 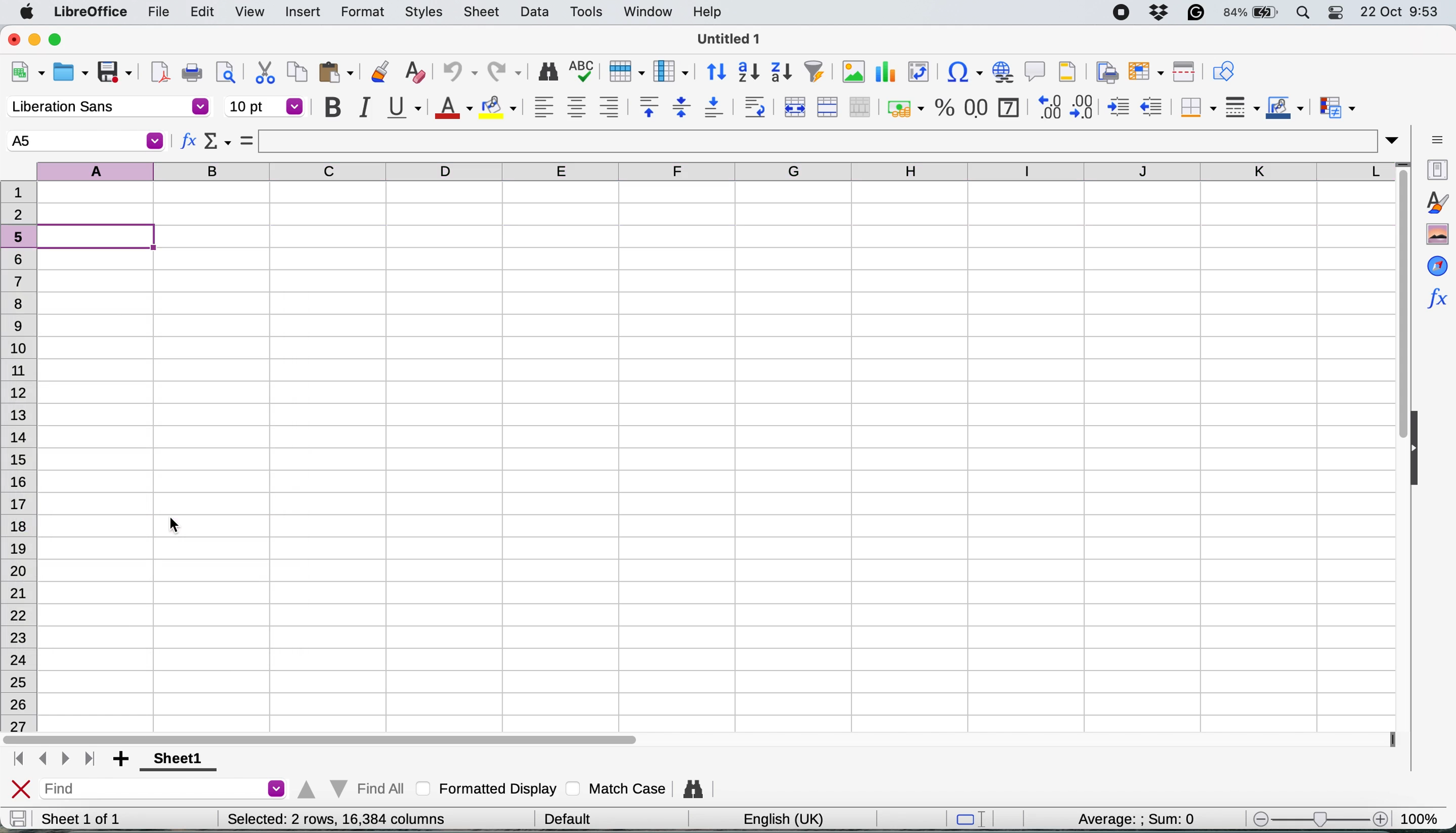 What do you see at coordinates (1163, 12) in the screenshot?
I see `dropbox` at bounding box center [1163, 12].